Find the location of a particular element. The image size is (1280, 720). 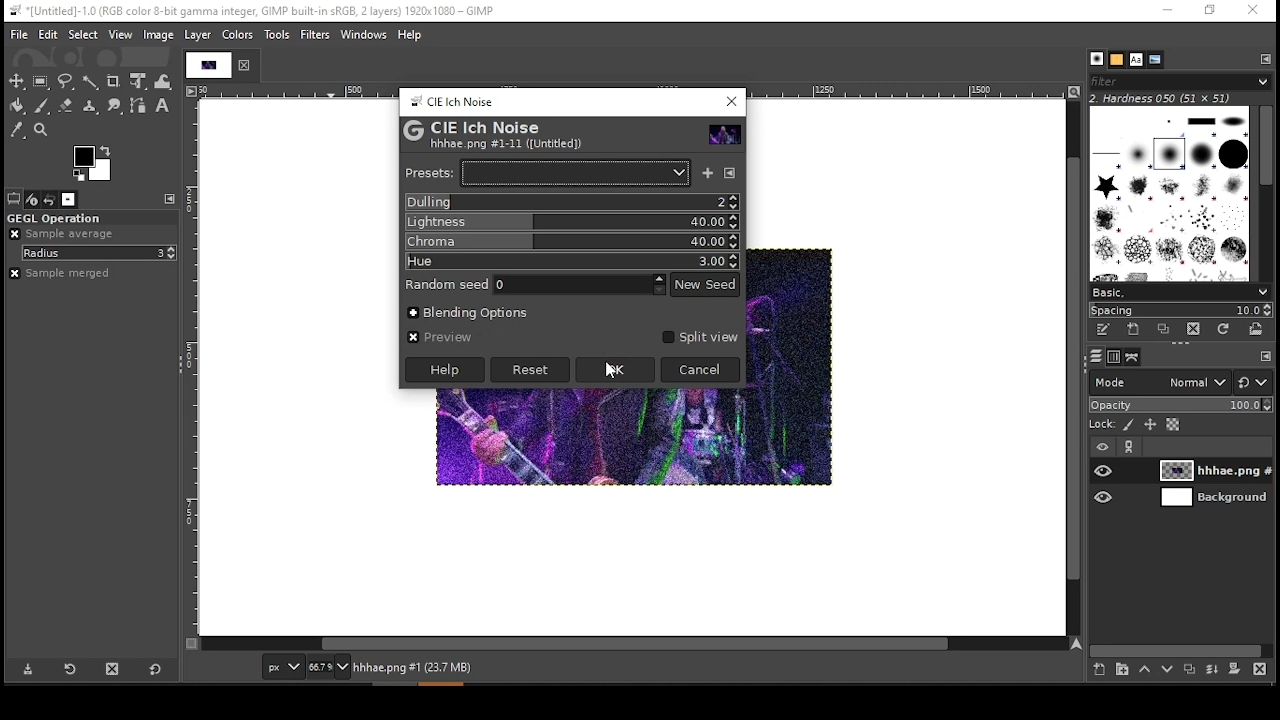

presets is located at coordinates (547, 173).